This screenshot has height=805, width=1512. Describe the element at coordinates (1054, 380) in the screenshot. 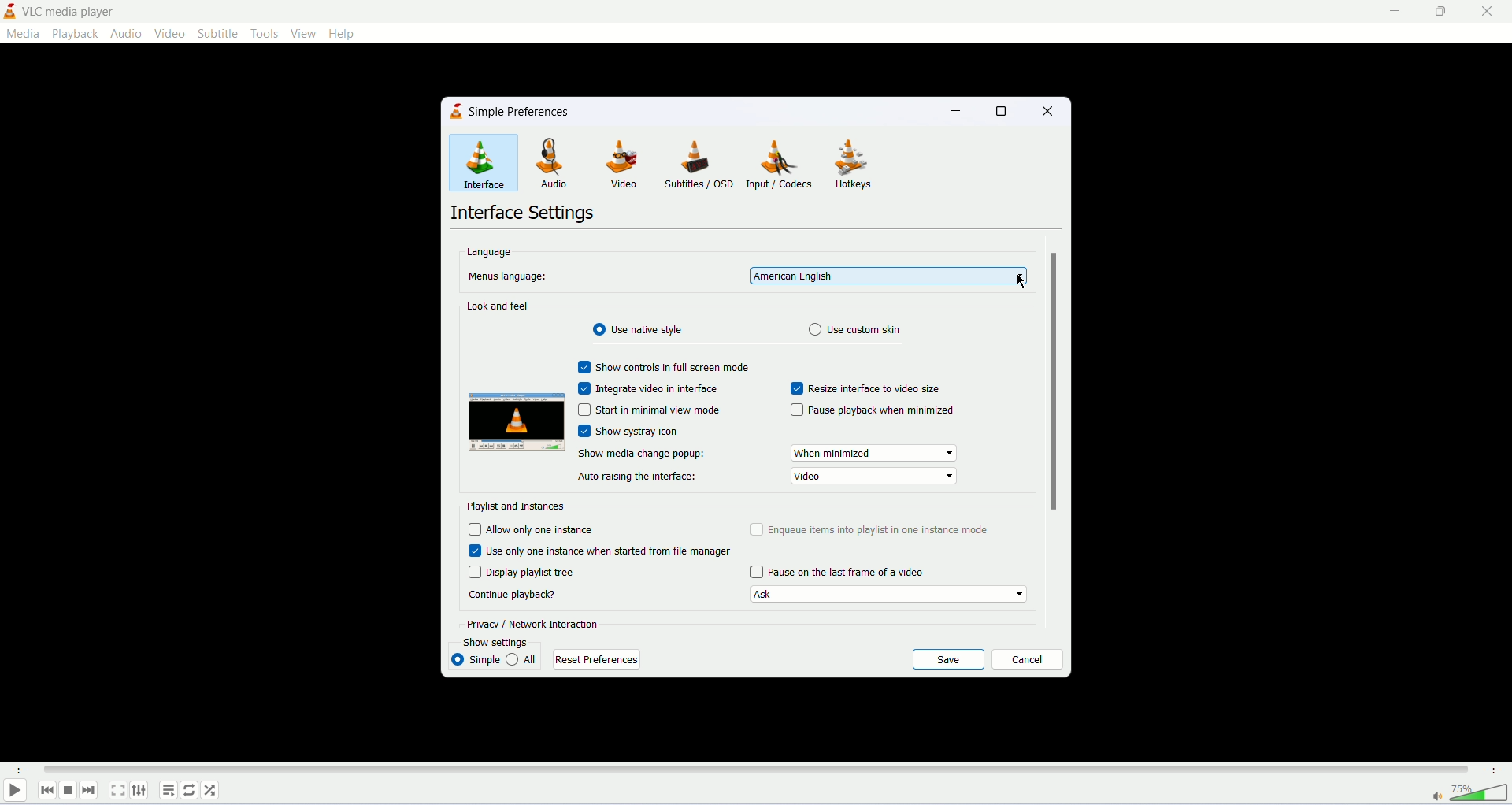

I see `vertical scroll bar` at that location.